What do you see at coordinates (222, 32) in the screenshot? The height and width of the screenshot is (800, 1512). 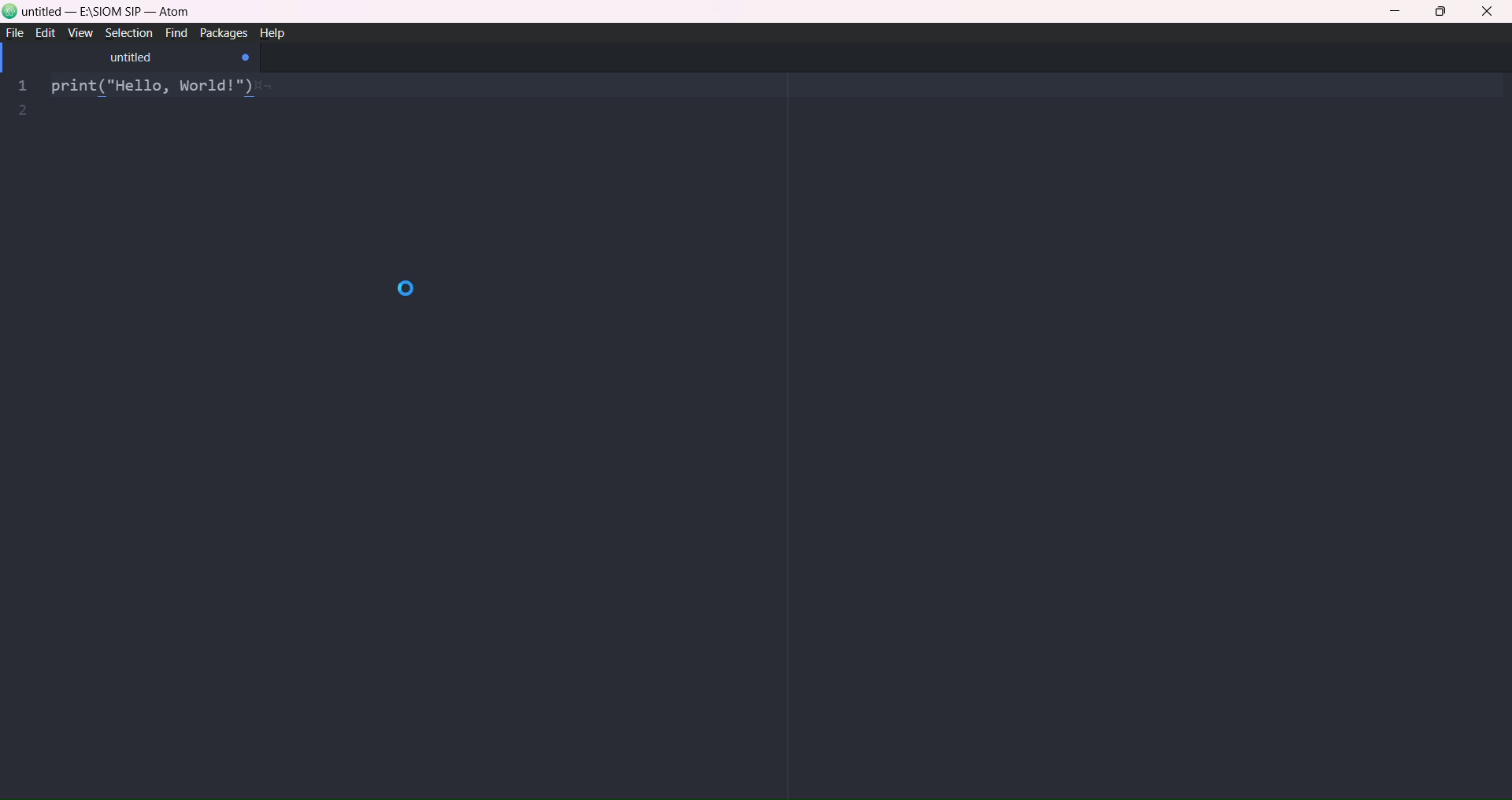 I see `packages` at bounding box center [222, 32].